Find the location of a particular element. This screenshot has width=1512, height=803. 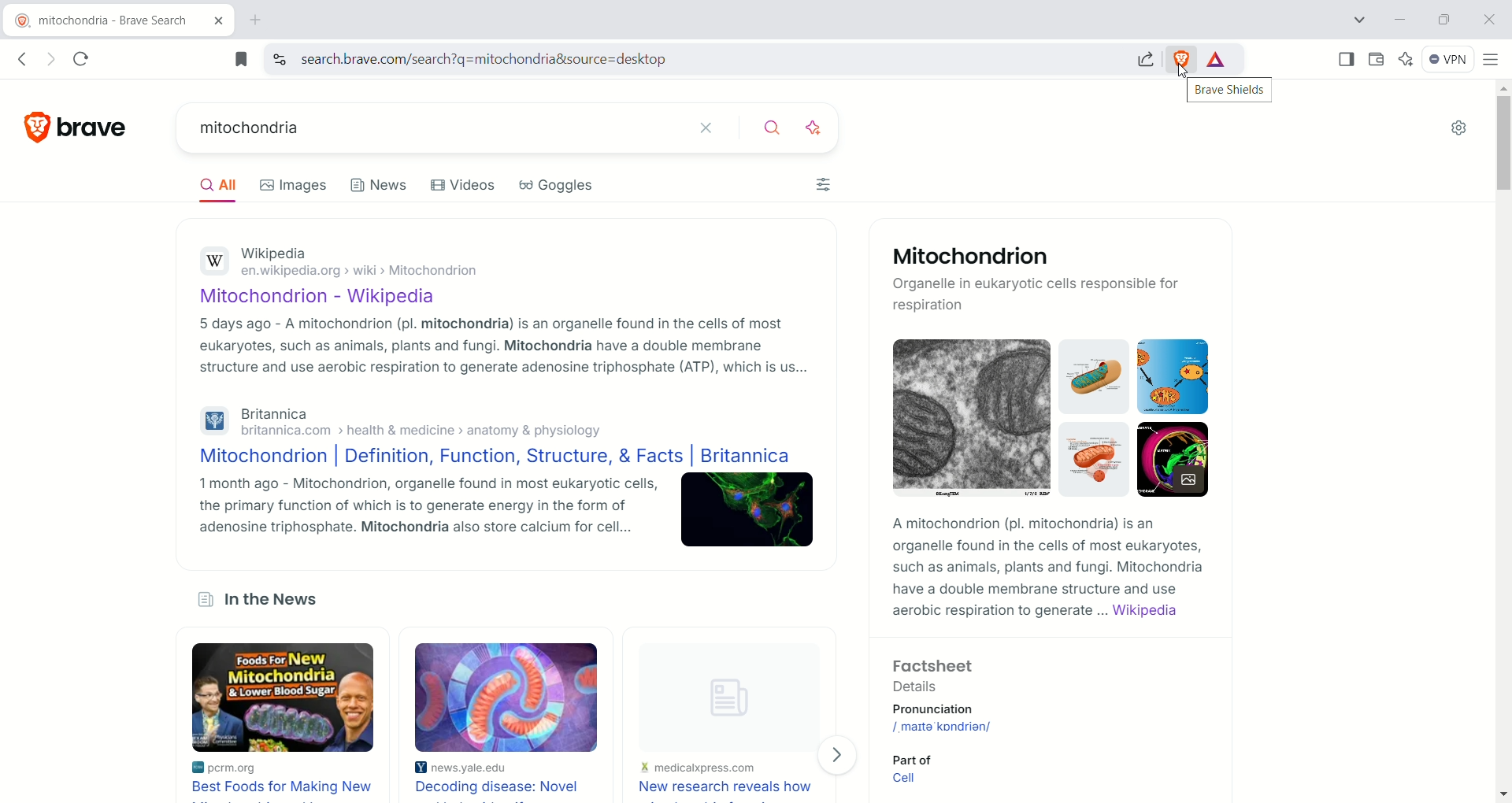

medicalxpress.com is located at coordinates (699, 768).